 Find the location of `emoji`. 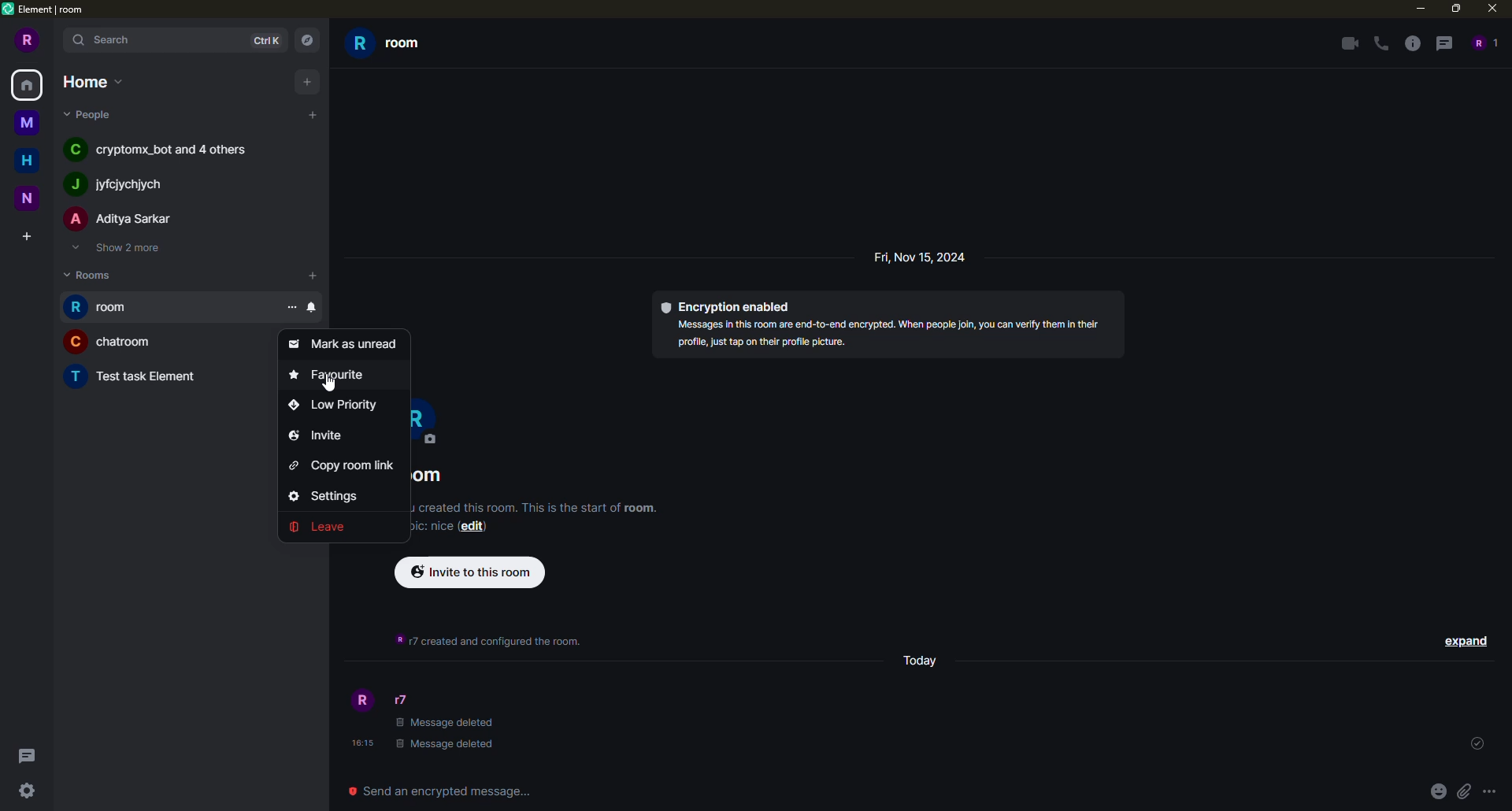

emoji is located at coordinates (1437, 791).